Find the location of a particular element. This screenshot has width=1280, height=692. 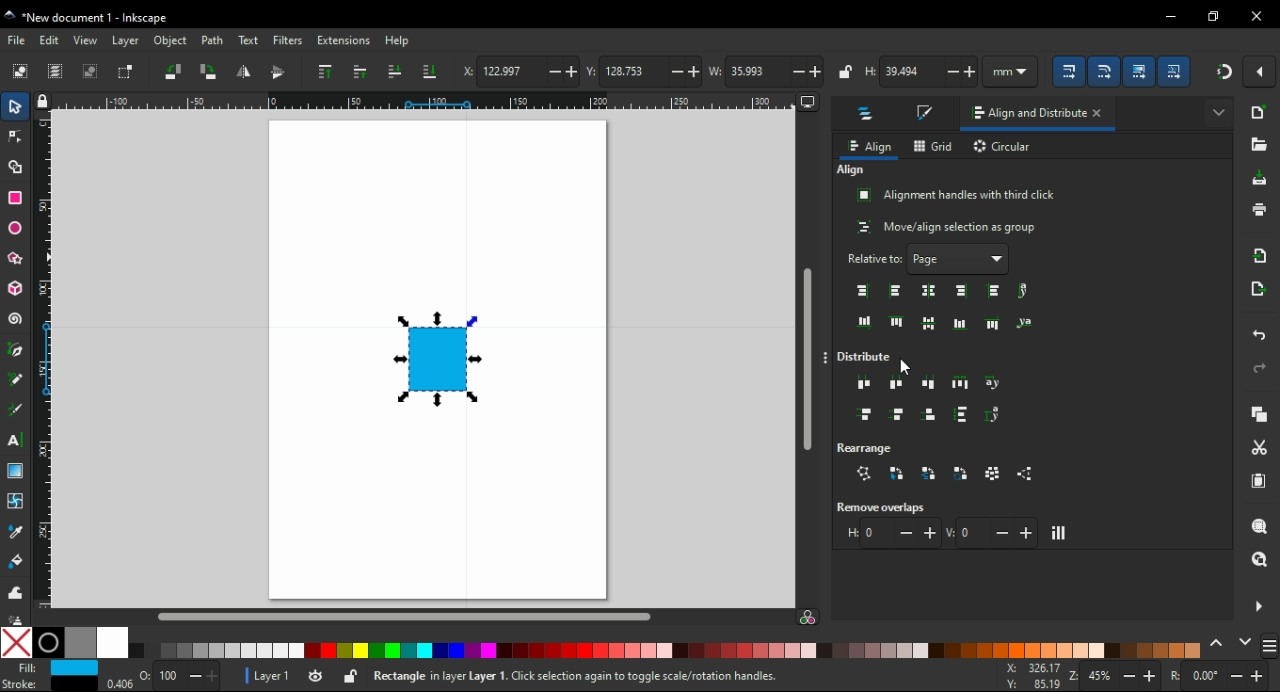

cursor coordinates is located at coordinates (1030, 675).